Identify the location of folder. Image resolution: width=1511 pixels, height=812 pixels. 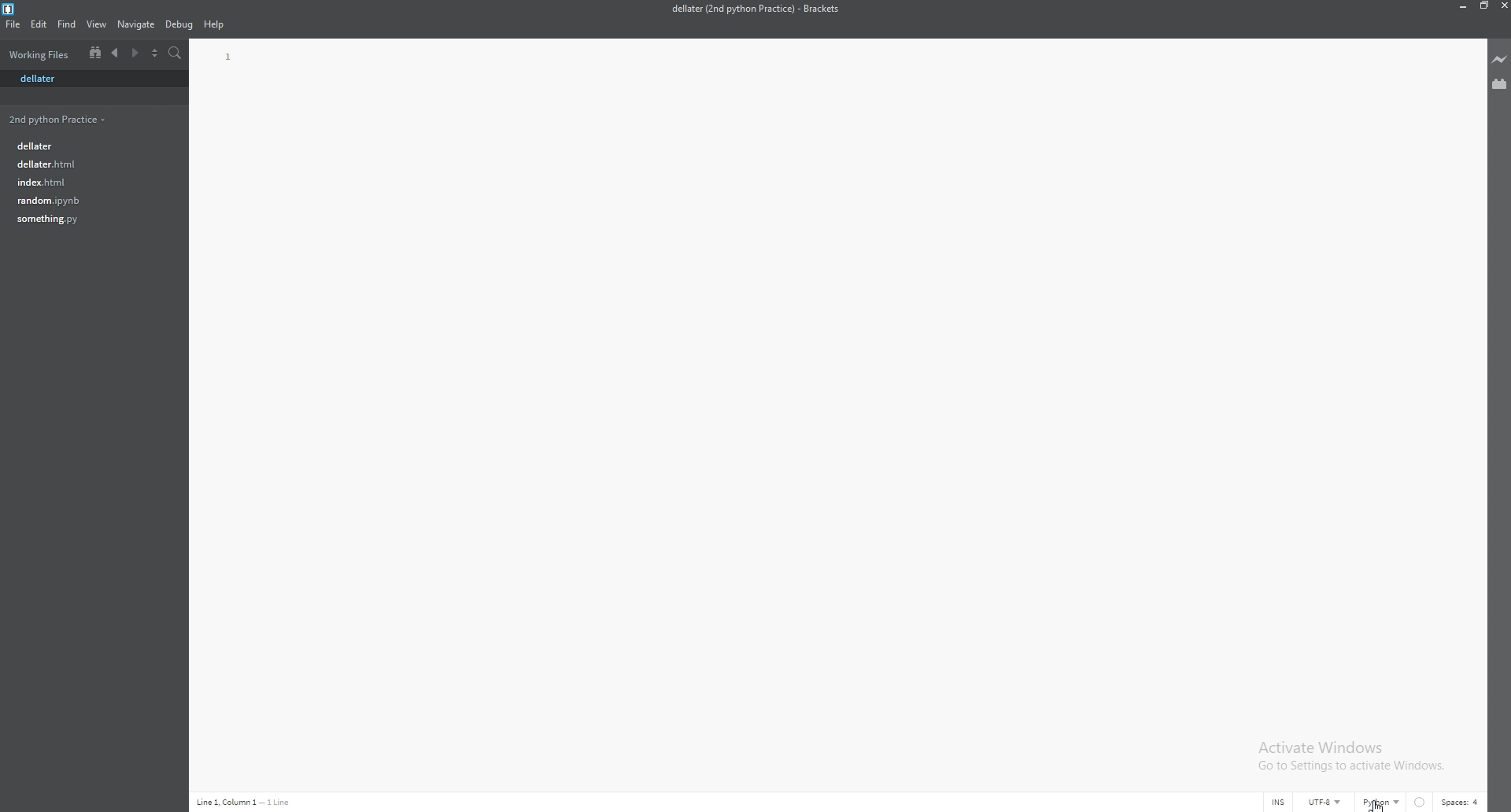
(60, 119).